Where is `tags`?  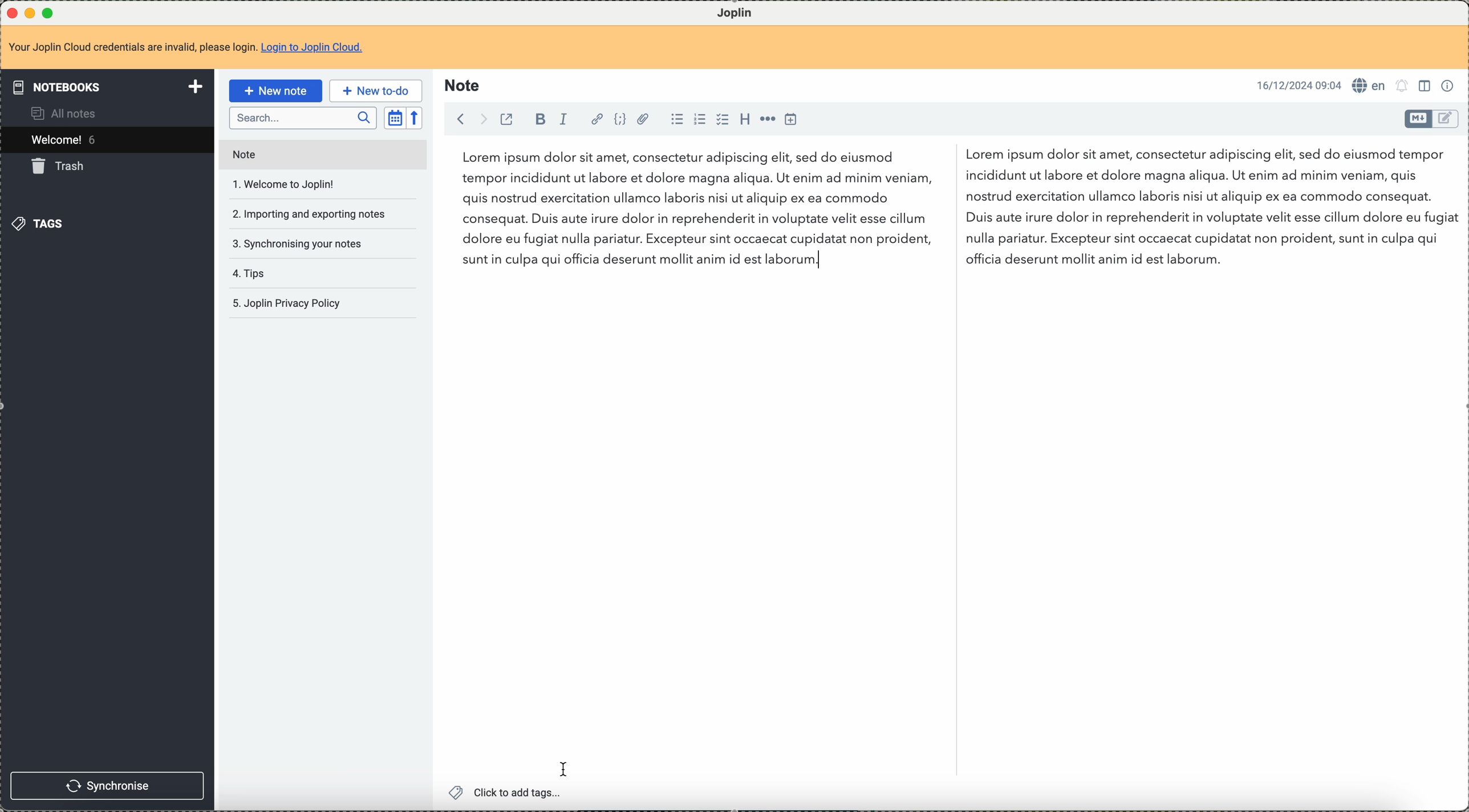 tags is located at coordinates (40, 224).